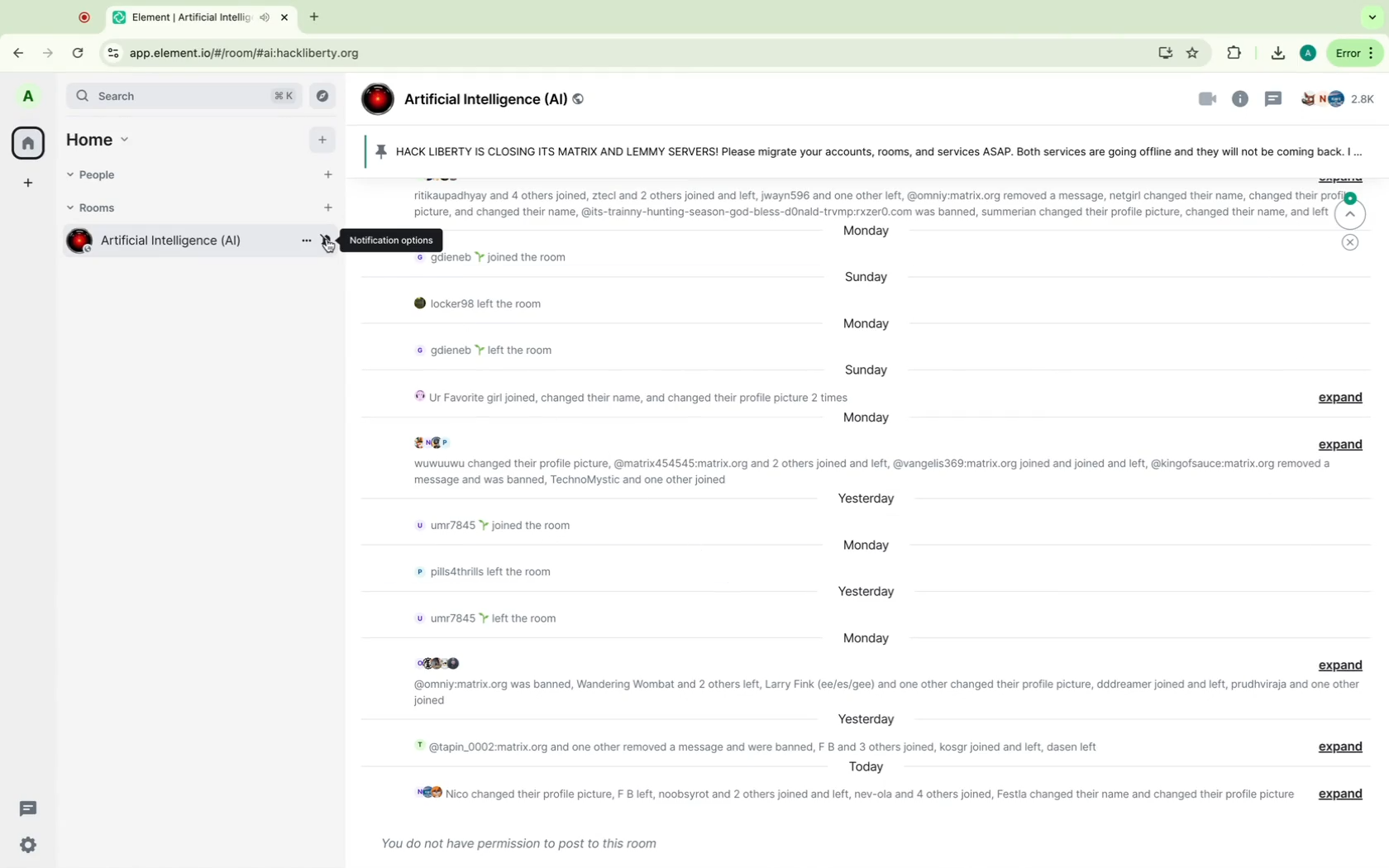 This screenshot has height=868, width=1389. Describe the element at coordinates (28, 182) in the screenshot. I see `create a space` at that location.